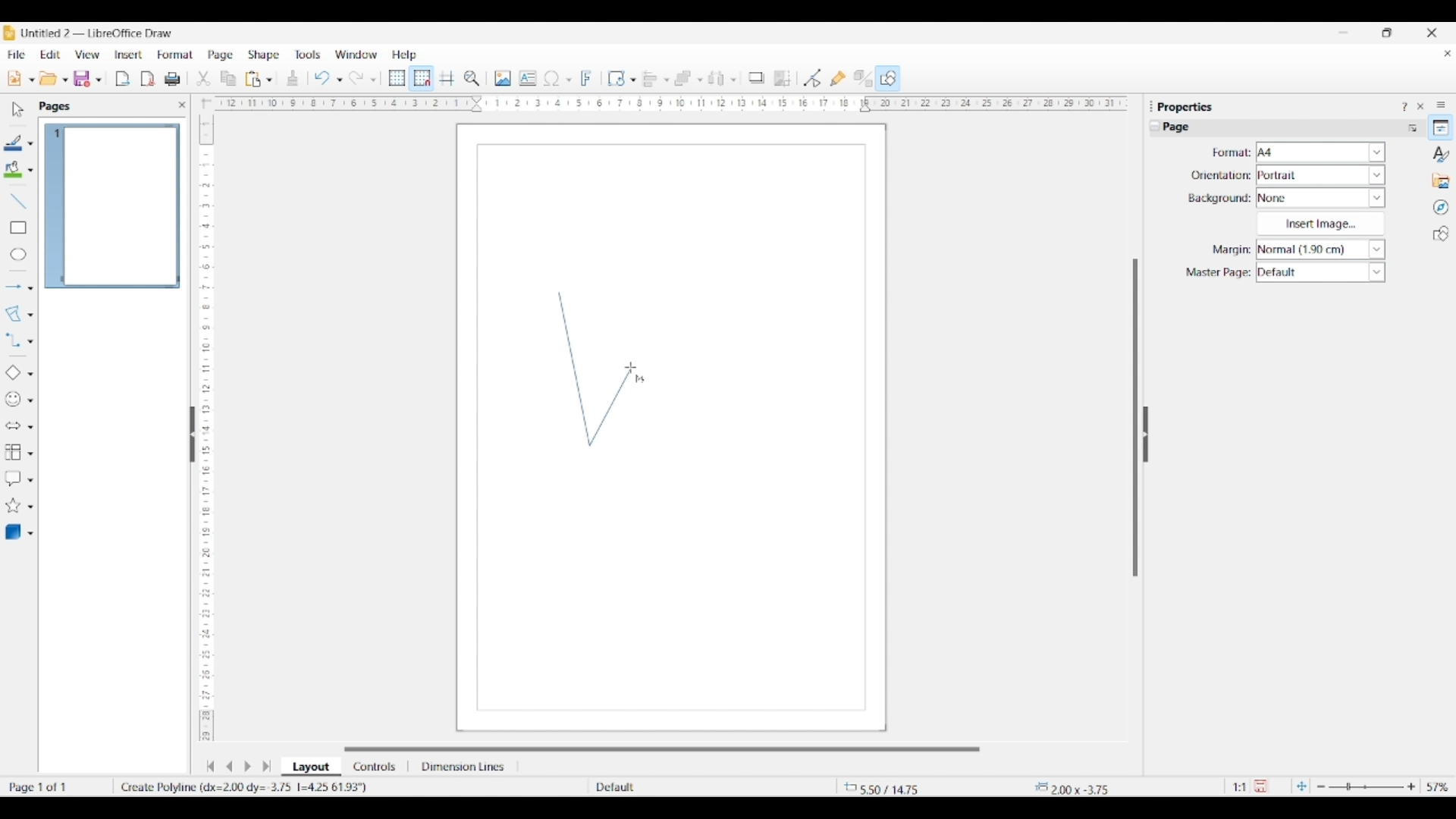 This screenshot has height=819, width=1456. What do you see at coordinates (1447, 54) in the screenshot?
I see `Close current document ` at bounding box center [1447, 54].